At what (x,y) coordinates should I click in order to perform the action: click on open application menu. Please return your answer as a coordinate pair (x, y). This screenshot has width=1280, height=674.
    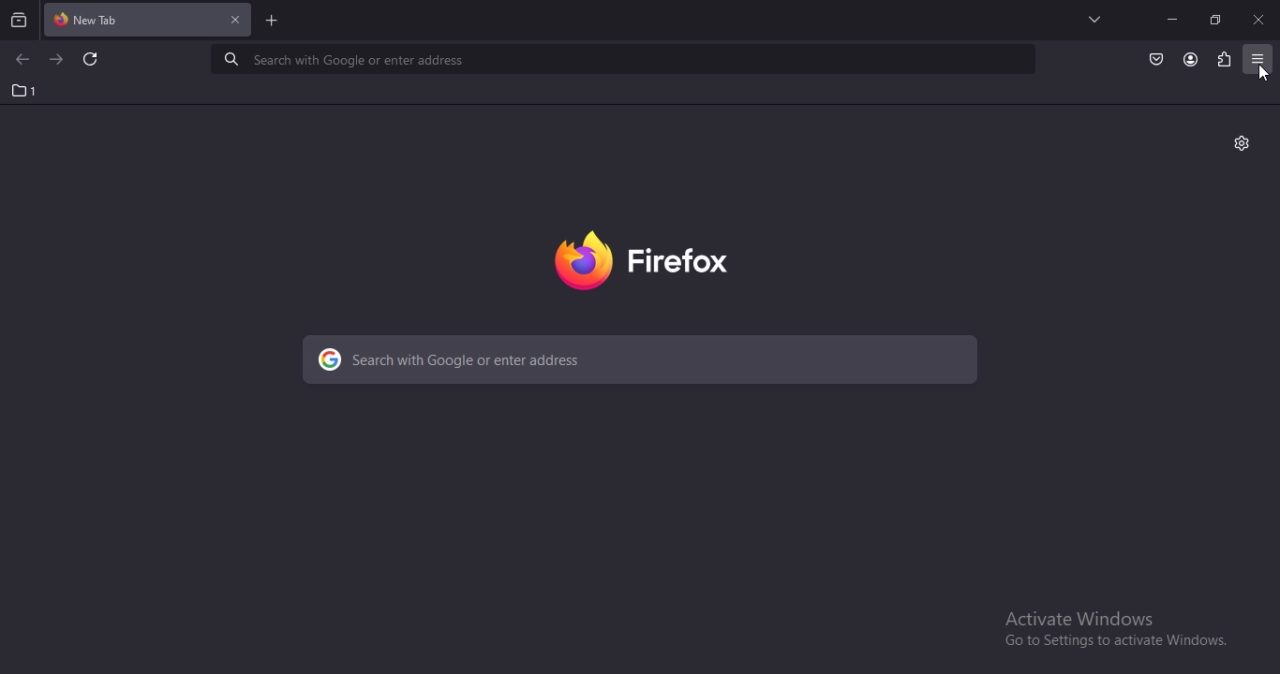
    Looking at the image, I should click on (1258, 58).